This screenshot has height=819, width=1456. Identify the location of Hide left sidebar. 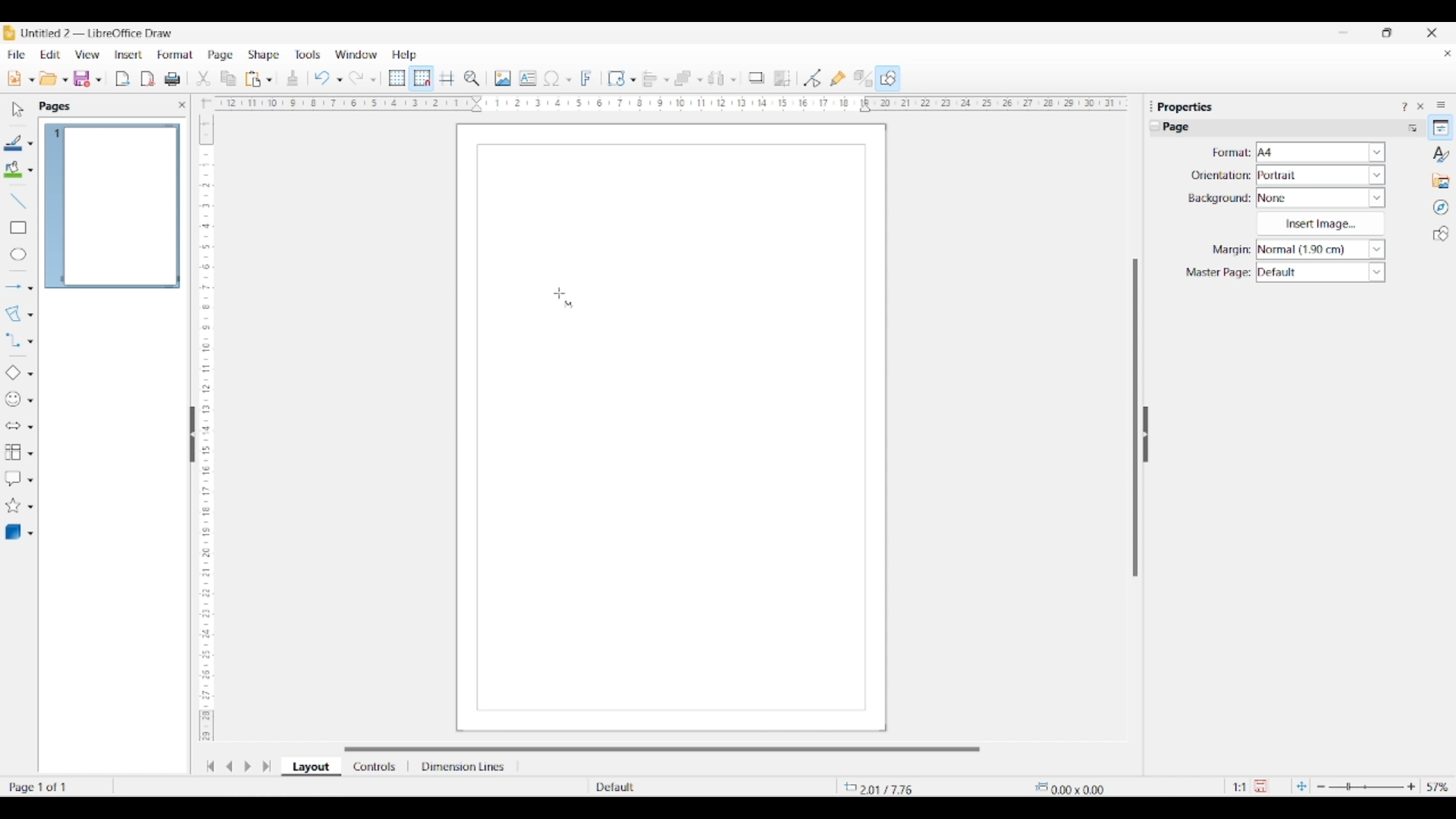
(193, 435).